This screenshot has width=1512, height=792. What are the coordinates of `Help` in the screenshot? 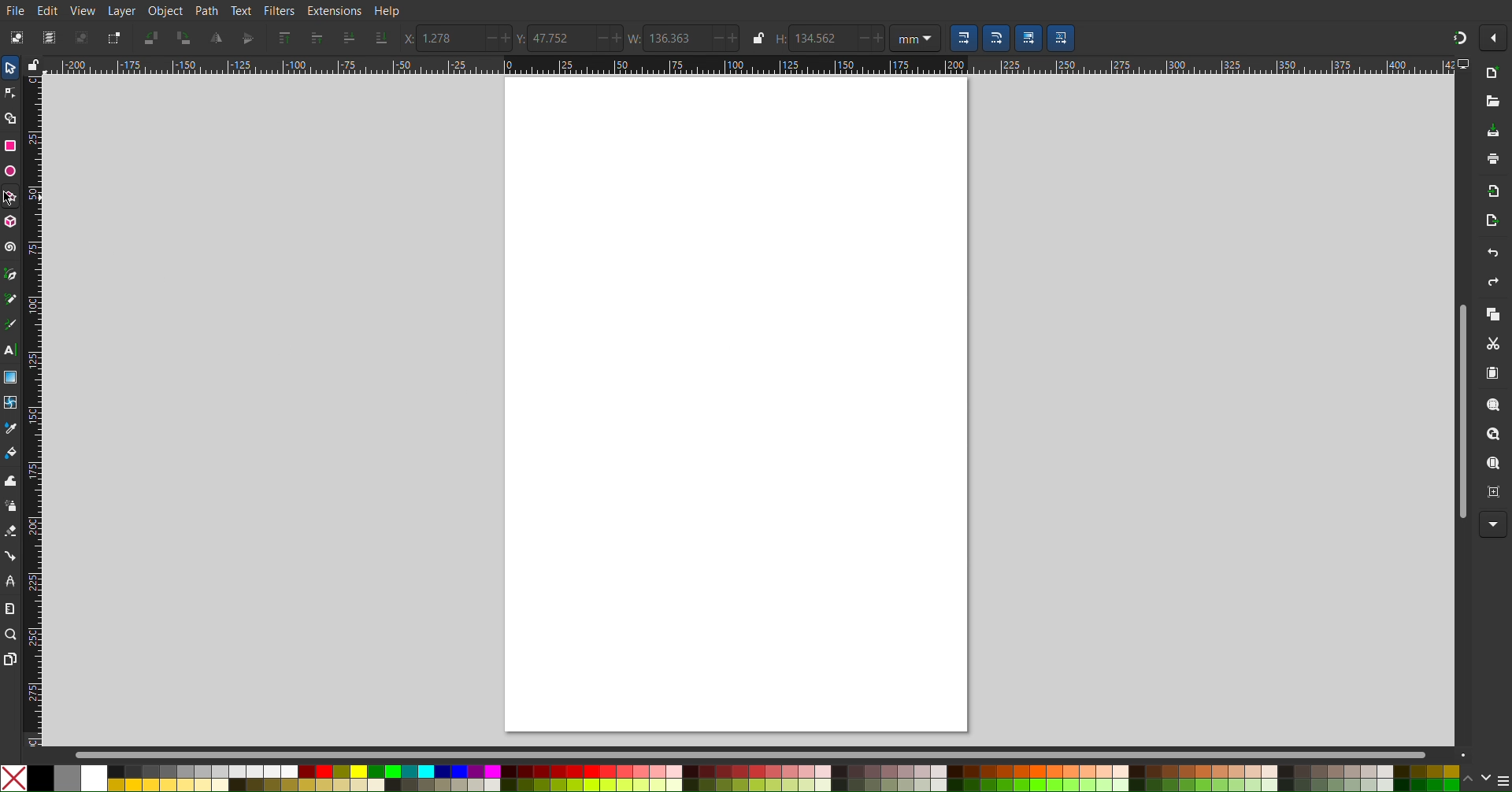 It's located at (388, 10).